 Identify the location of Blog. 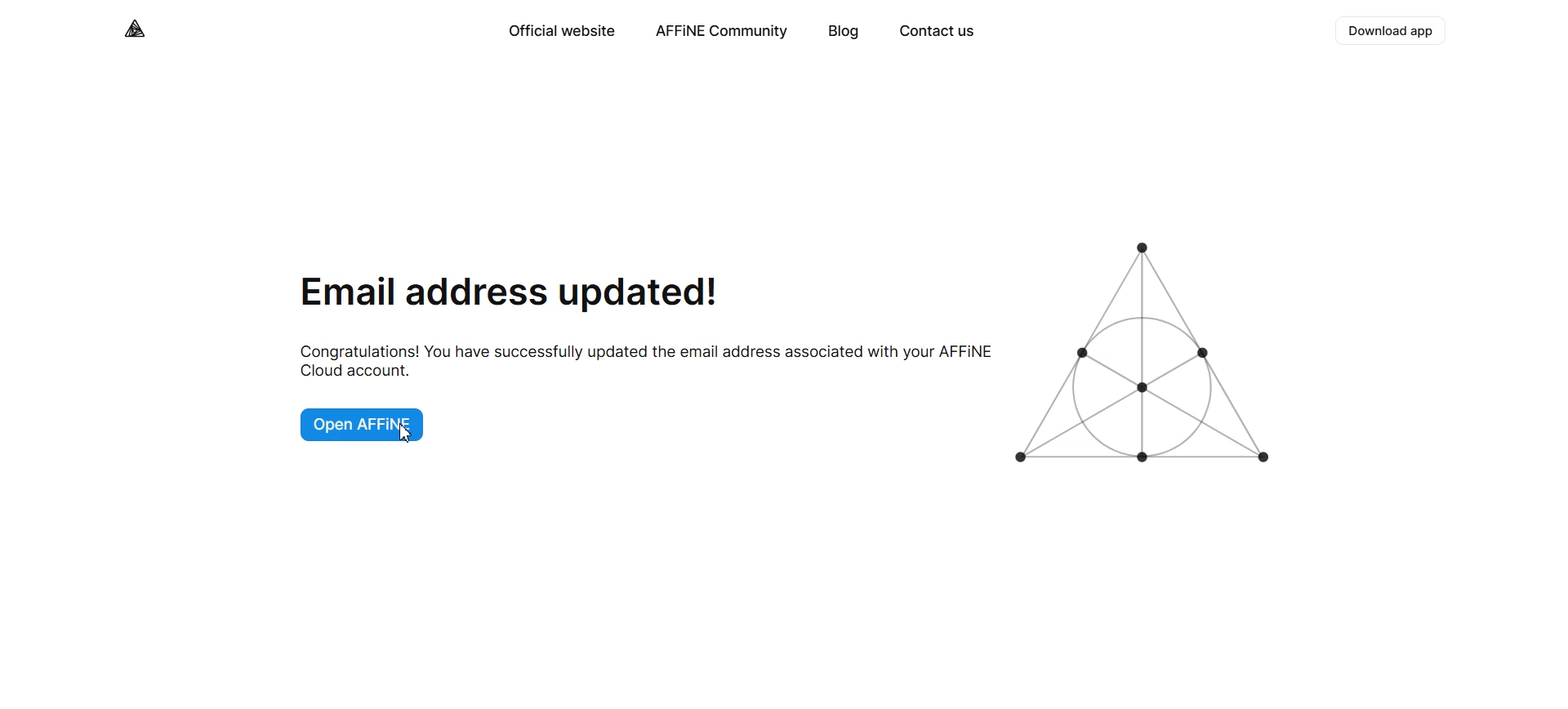
(844, 33).